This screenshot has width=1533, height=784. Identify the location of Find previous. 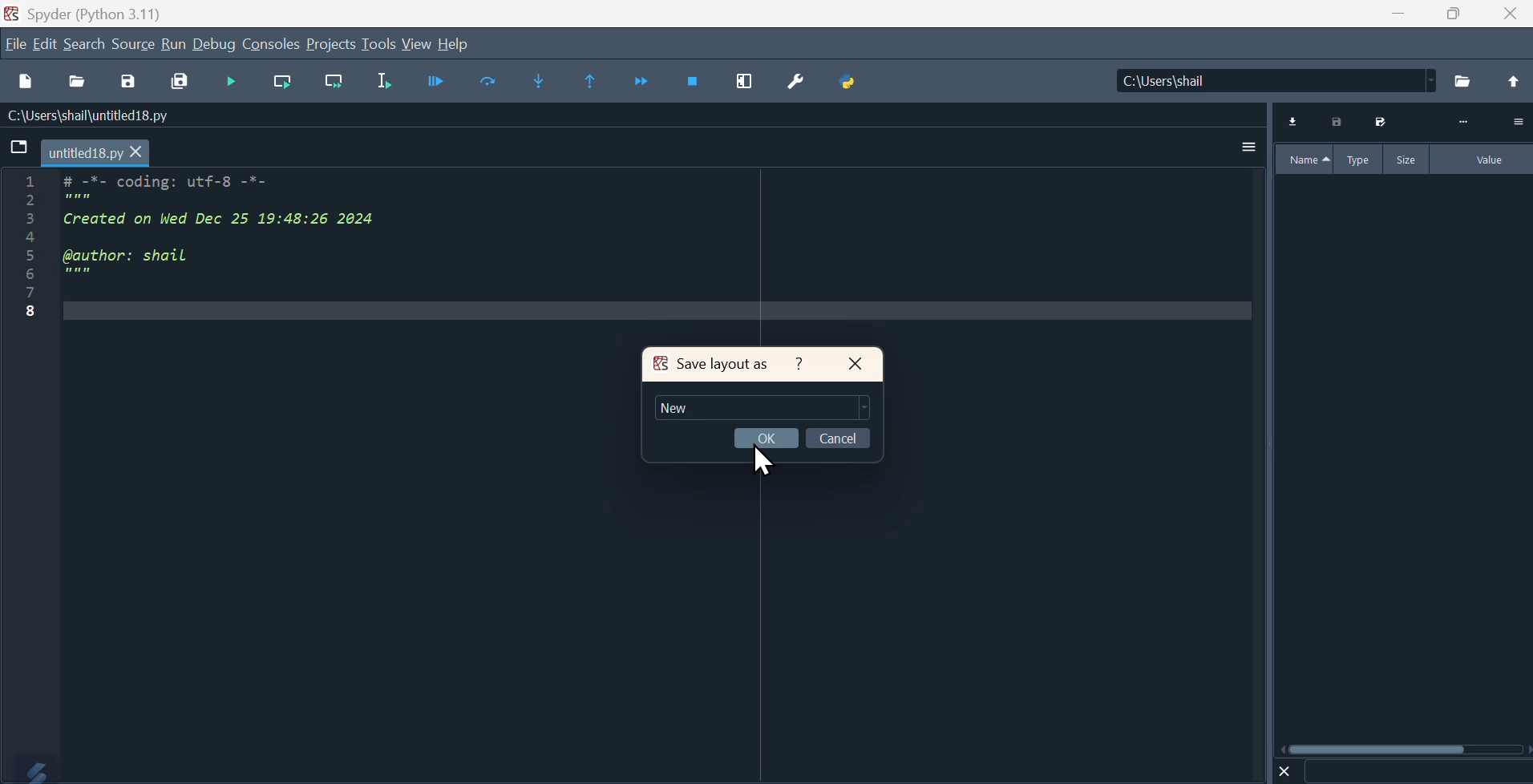
(593, 82).